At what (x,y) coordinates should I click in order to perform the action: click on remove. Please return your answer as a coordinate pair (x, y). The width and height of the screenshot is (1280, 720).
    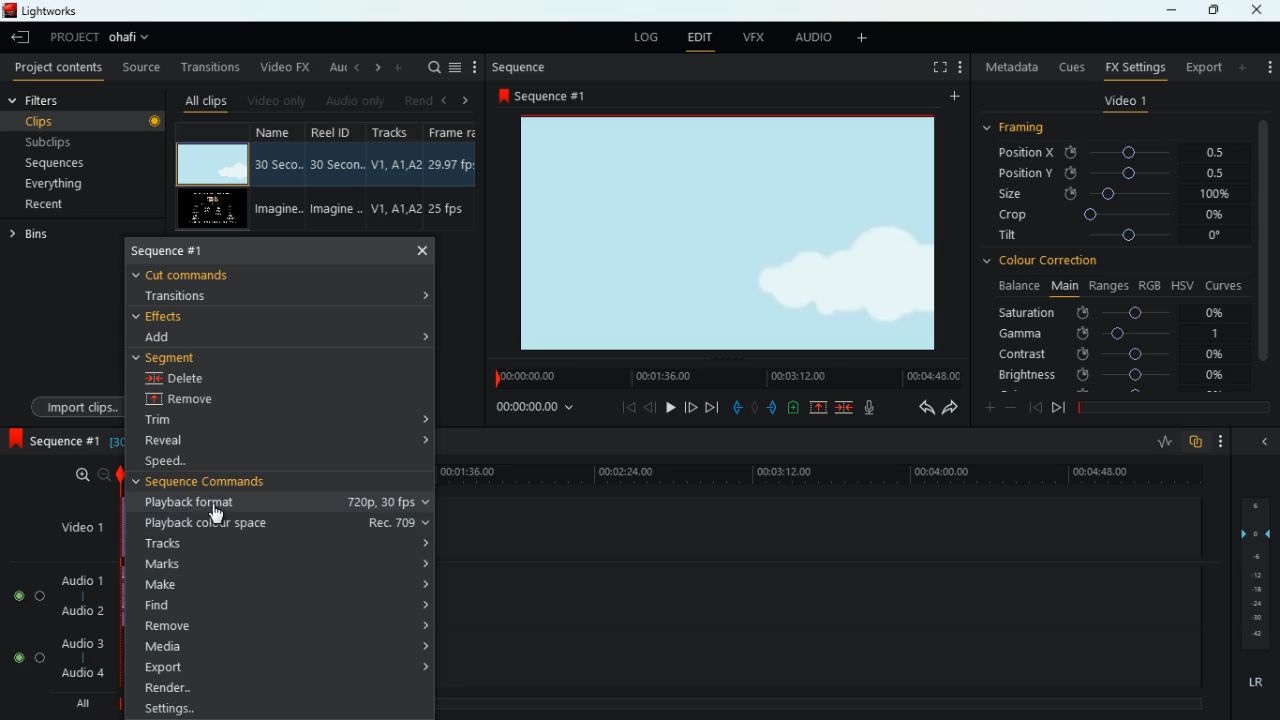
    Looking at the image, I should click on (289, 625).